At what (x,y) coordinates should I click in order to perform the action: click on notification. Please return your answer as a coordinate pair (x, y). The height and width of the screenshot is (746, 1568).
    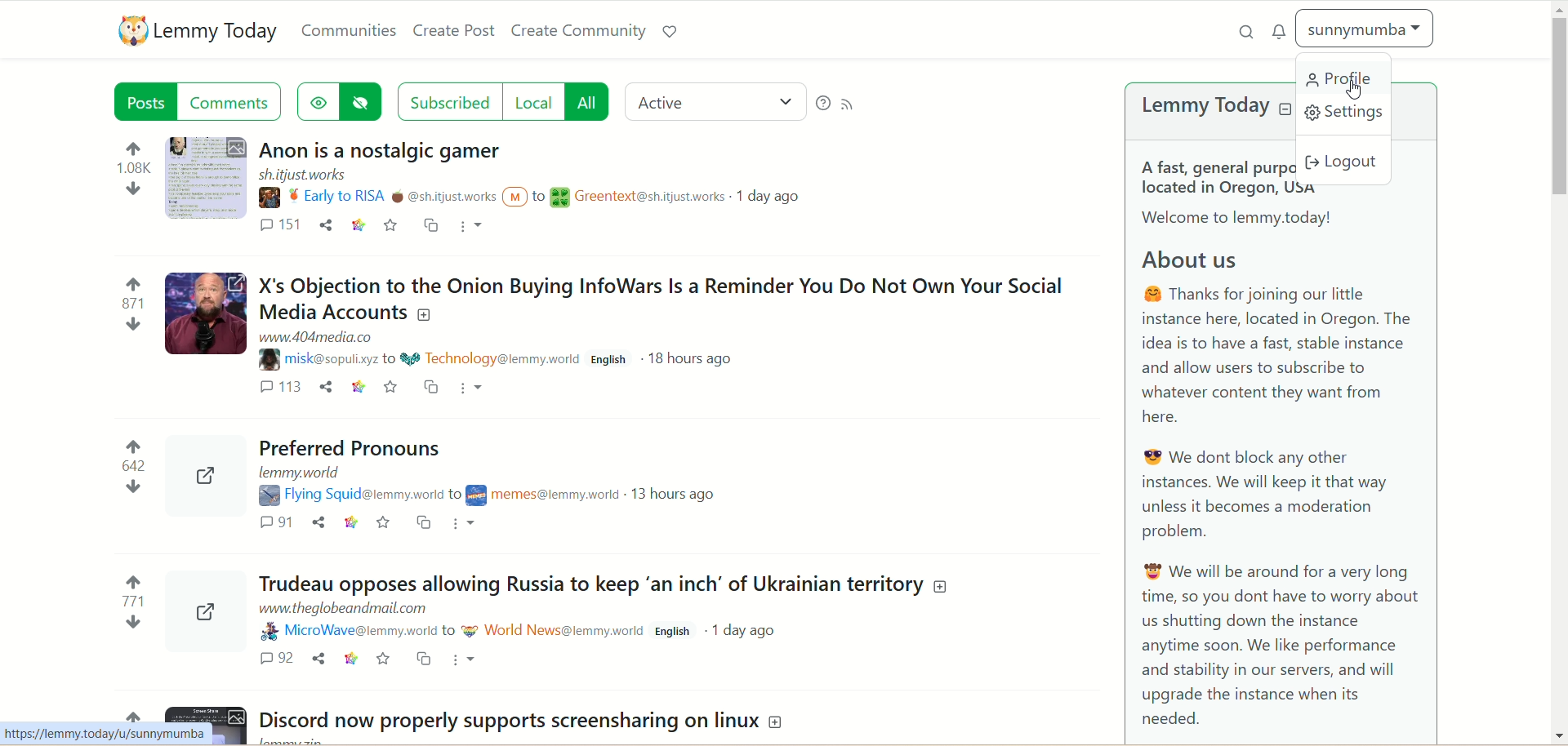
    Looking at the image, I should click on (1281, 31).